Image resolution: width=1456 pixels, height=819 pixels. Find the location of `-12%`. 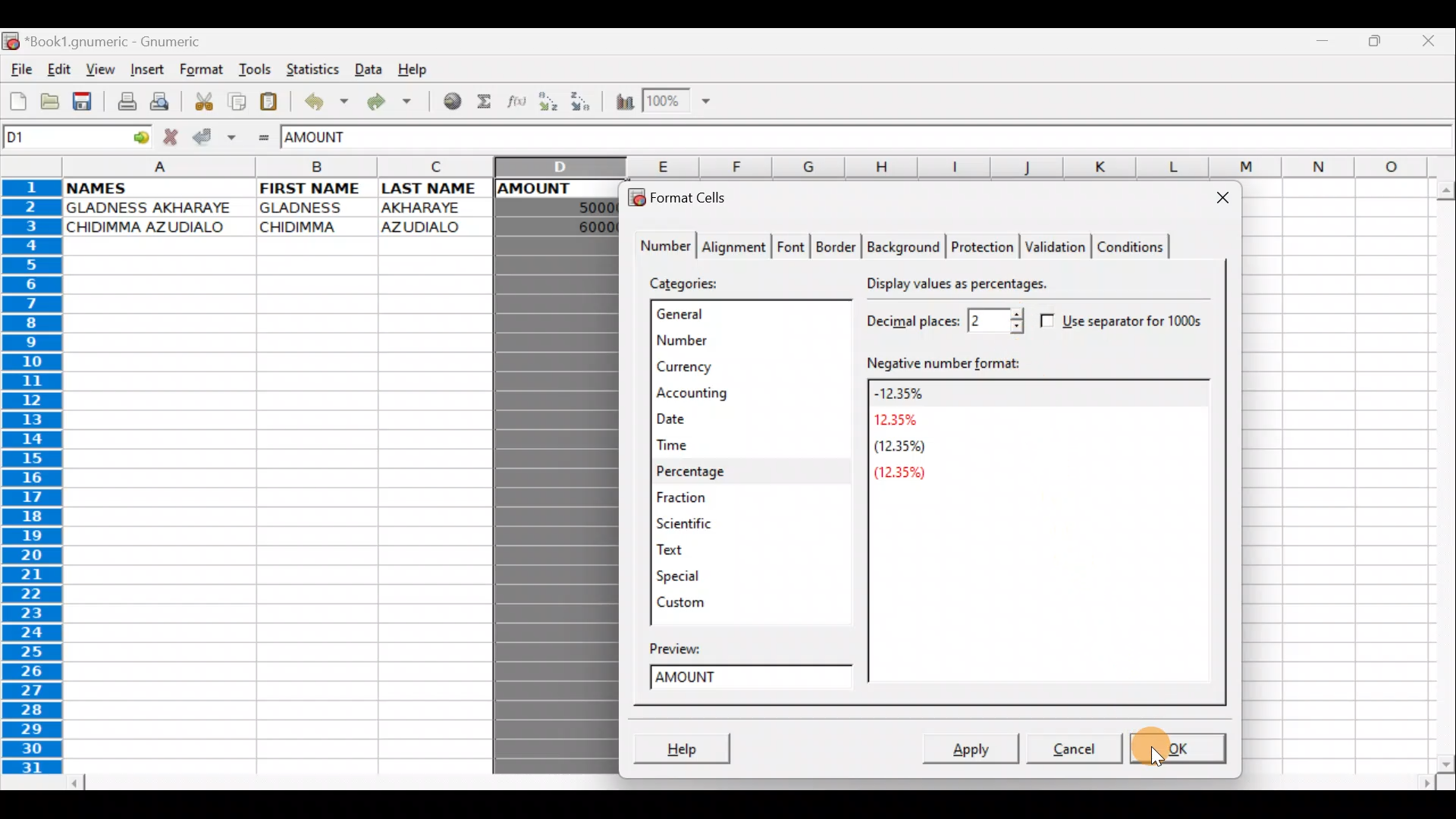

-12% is located at coordinates (900, 392).